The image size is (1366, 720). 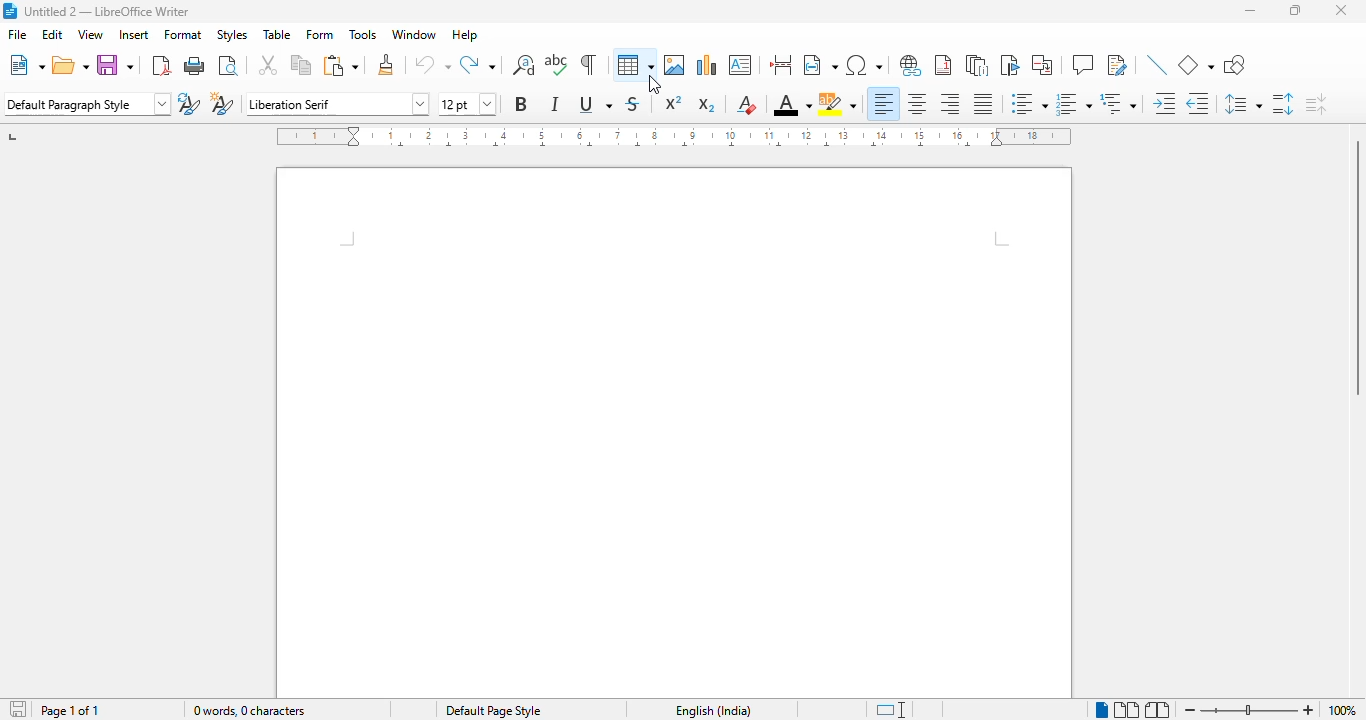 I want to click on clear direct formatting, so click(x=746, y=104).